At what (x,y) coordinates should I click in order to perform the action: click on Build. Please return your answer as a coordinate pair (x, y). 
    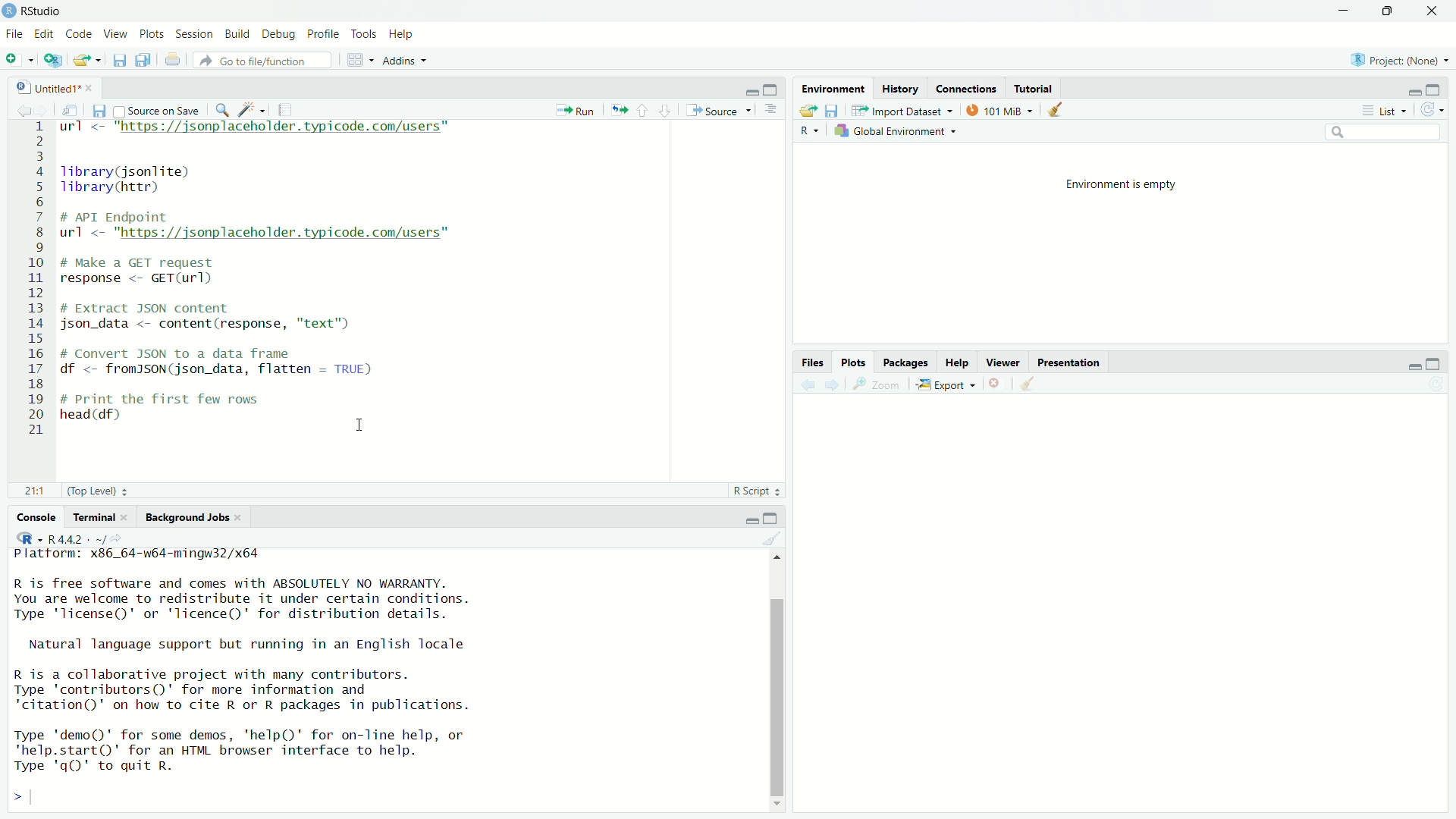
    Looking at the image, I should click on (237, 35).